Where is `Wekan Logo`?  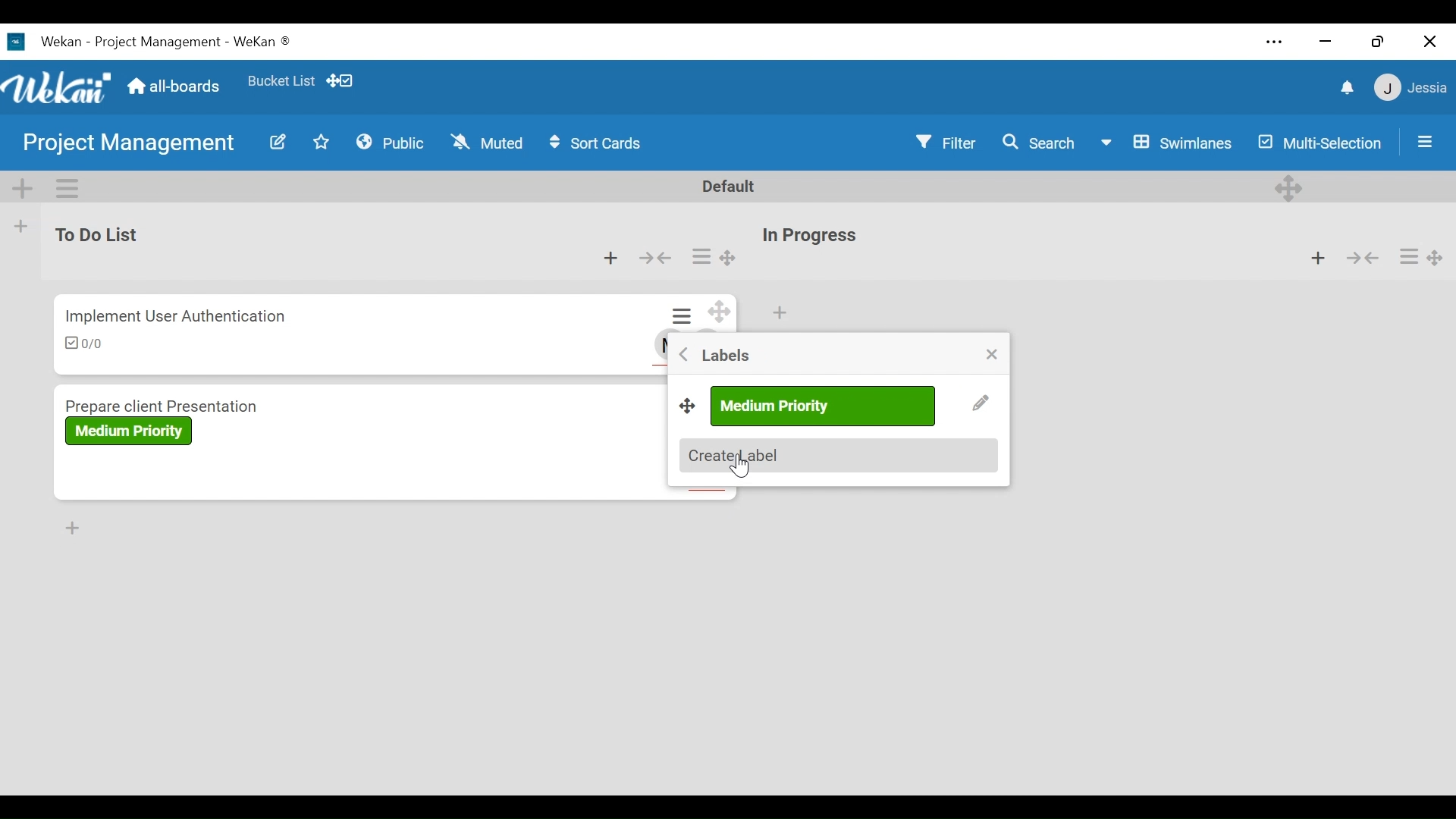 Wekan Logo is located at coordinates (56, 84).